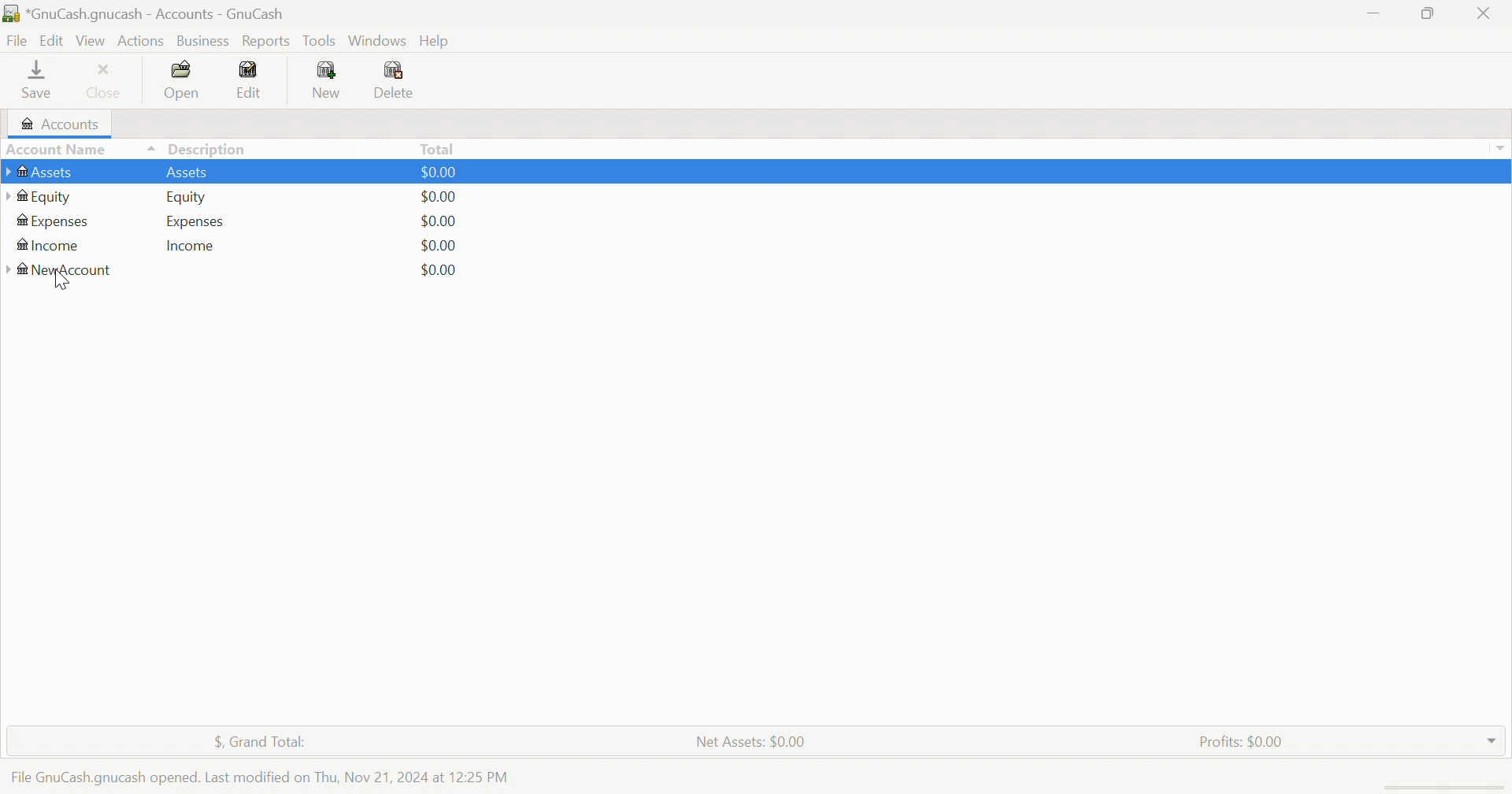 The width and height of the screenshot is (1512, 794). I want to click on Expenses, so click(195, 222).